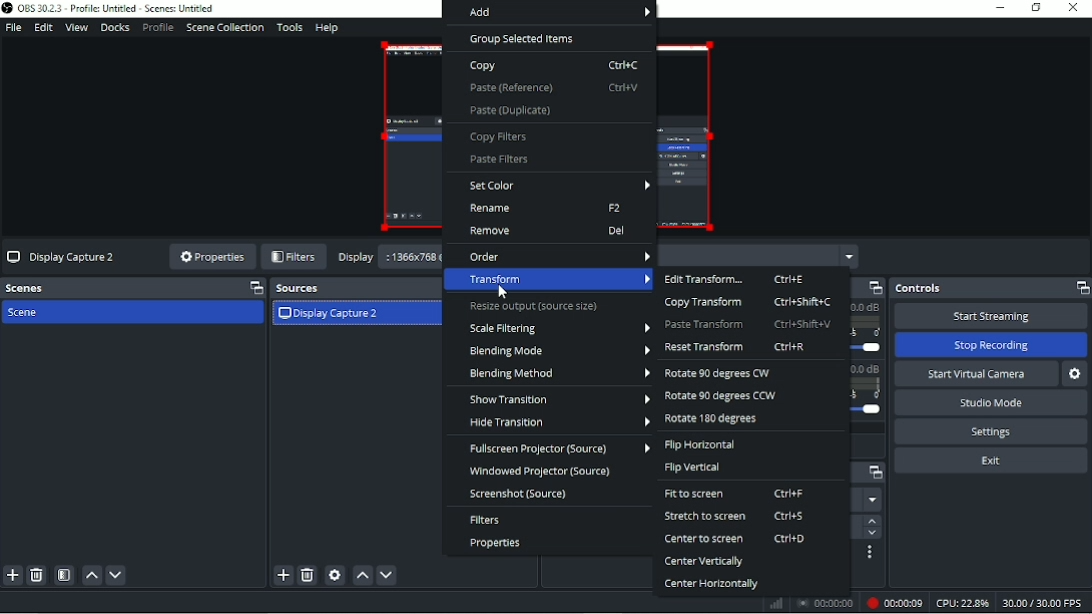 The image size is (1092, 614). Describe the element at coordinates (413, 258) in the screenshot. I see `: 1366x768 @ 0,0 (Primary Monitor)` at that location.